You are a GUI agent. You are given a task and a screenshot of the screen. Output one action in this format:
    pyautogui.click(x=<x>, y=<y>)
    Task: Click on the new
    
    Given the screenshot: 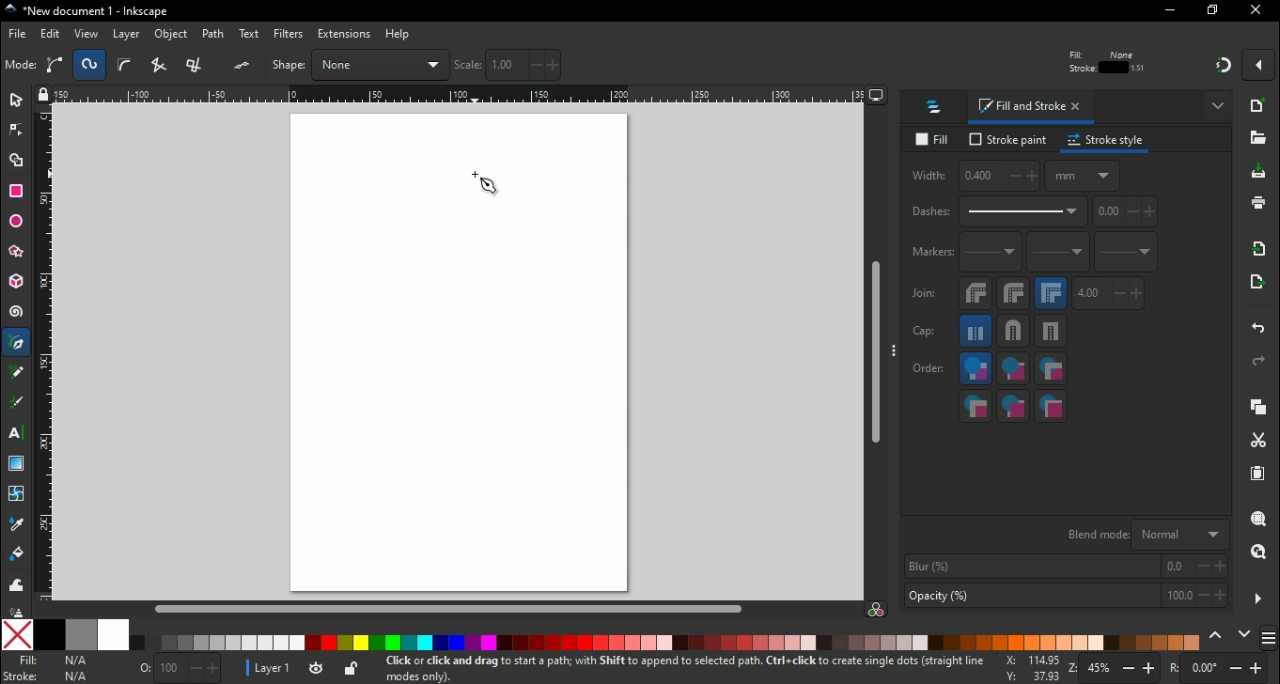 What is the action you would take?
    pyautogui.click(x=1263, y=110)
    